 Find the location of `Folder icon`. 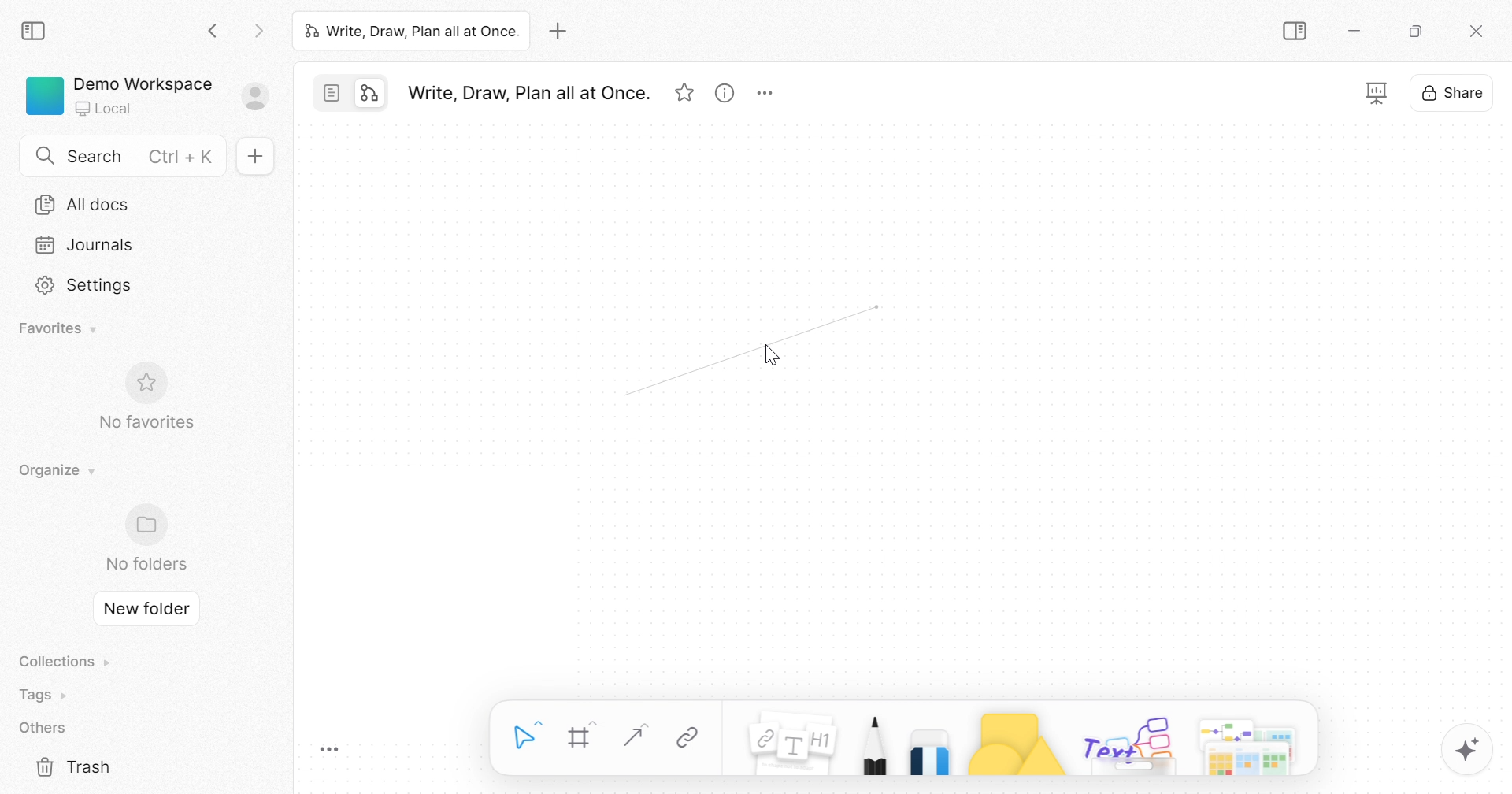

Folder icon is located at coordinates (151, 523).